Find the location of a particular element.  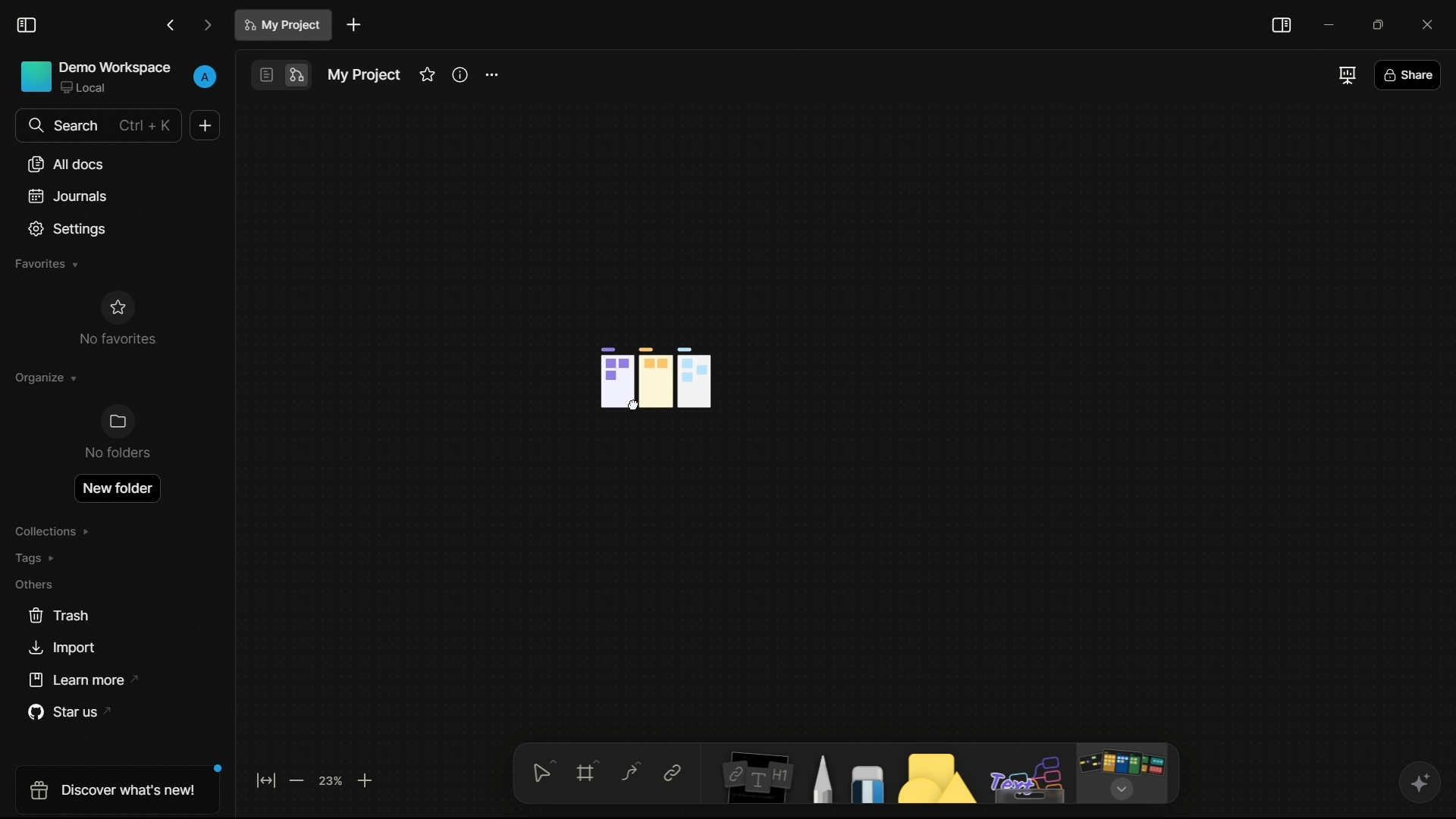

settings is located at coordinates (495, 75).